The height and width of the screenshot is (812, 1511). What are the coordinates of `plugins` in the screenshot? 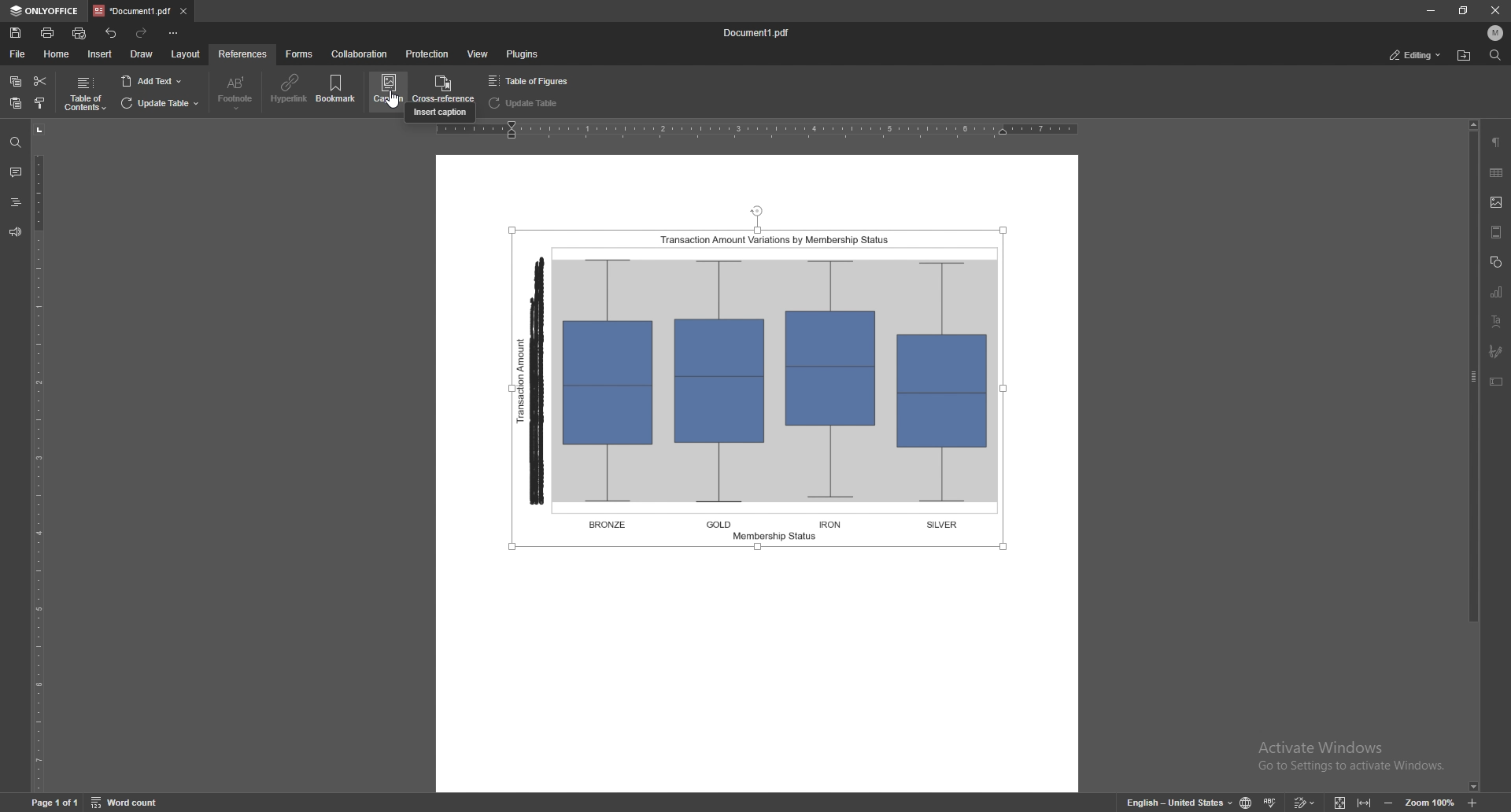 It's located at (521, 54).